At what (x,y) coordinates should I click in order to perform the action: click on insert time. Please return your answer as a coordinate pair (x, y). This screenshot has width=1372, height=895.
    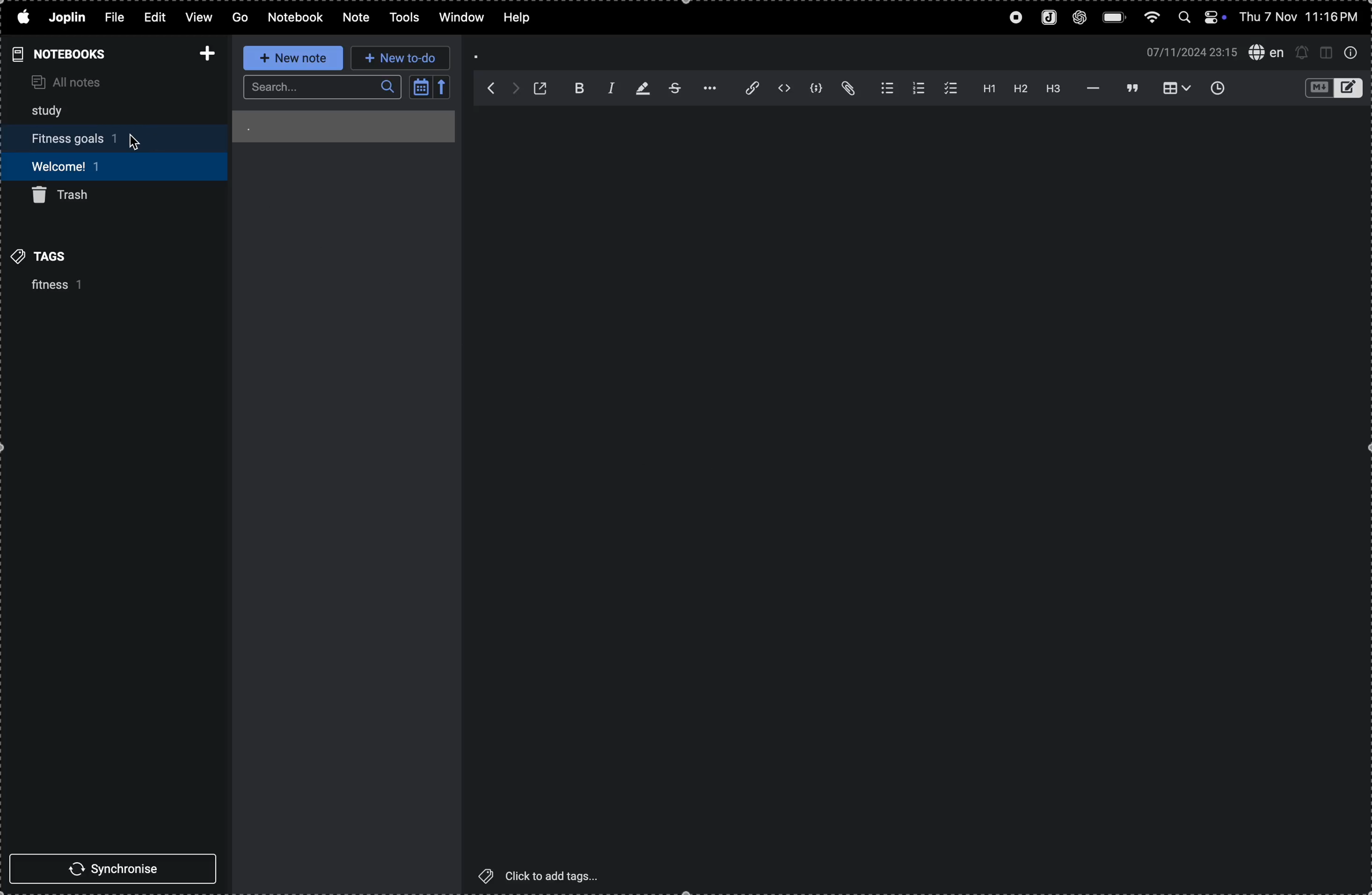
    Looking at the image, I should click on (1222, 88).